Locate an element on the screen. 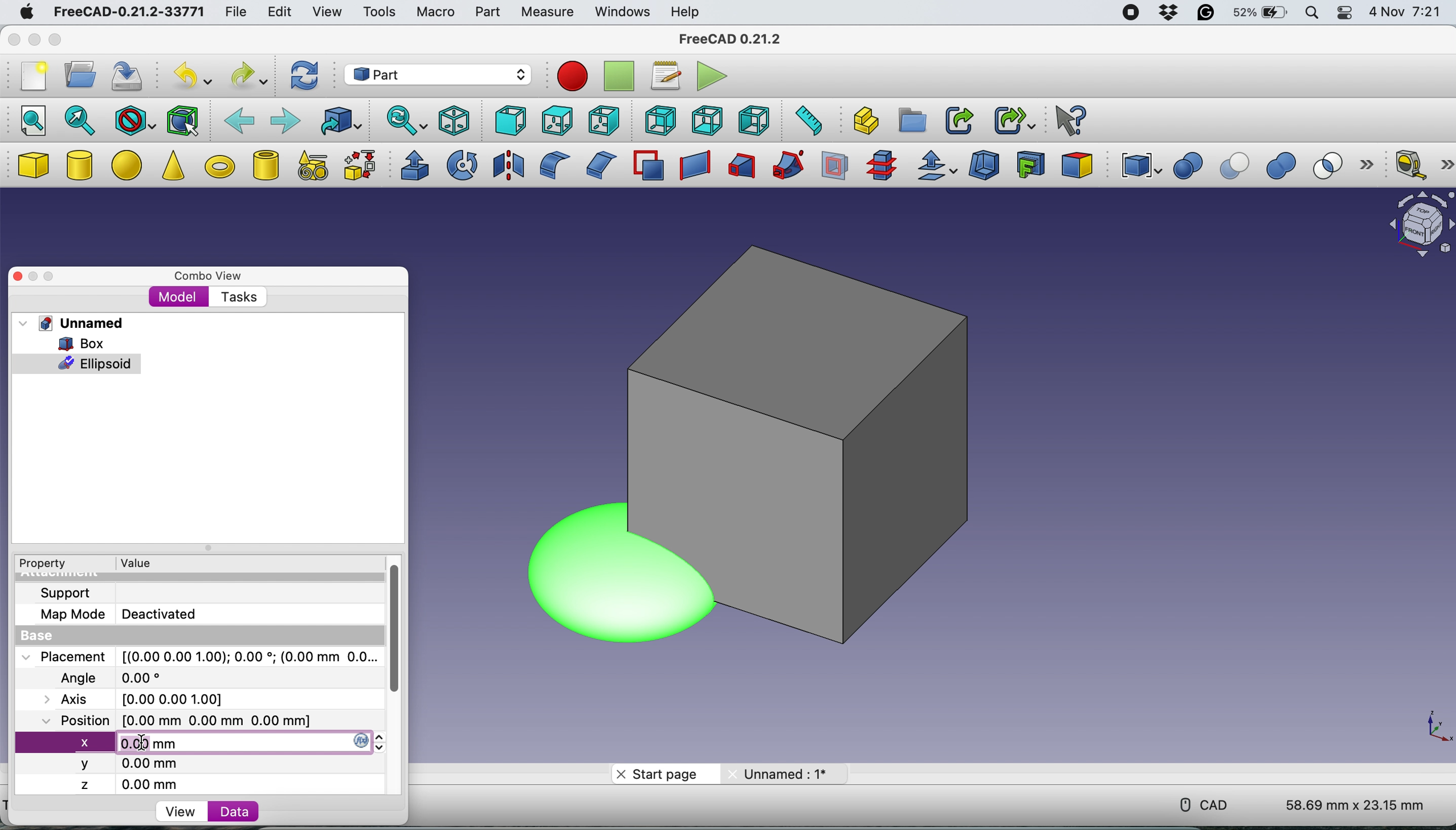  Unnamed: 1* is located at coordinates (776, 773).